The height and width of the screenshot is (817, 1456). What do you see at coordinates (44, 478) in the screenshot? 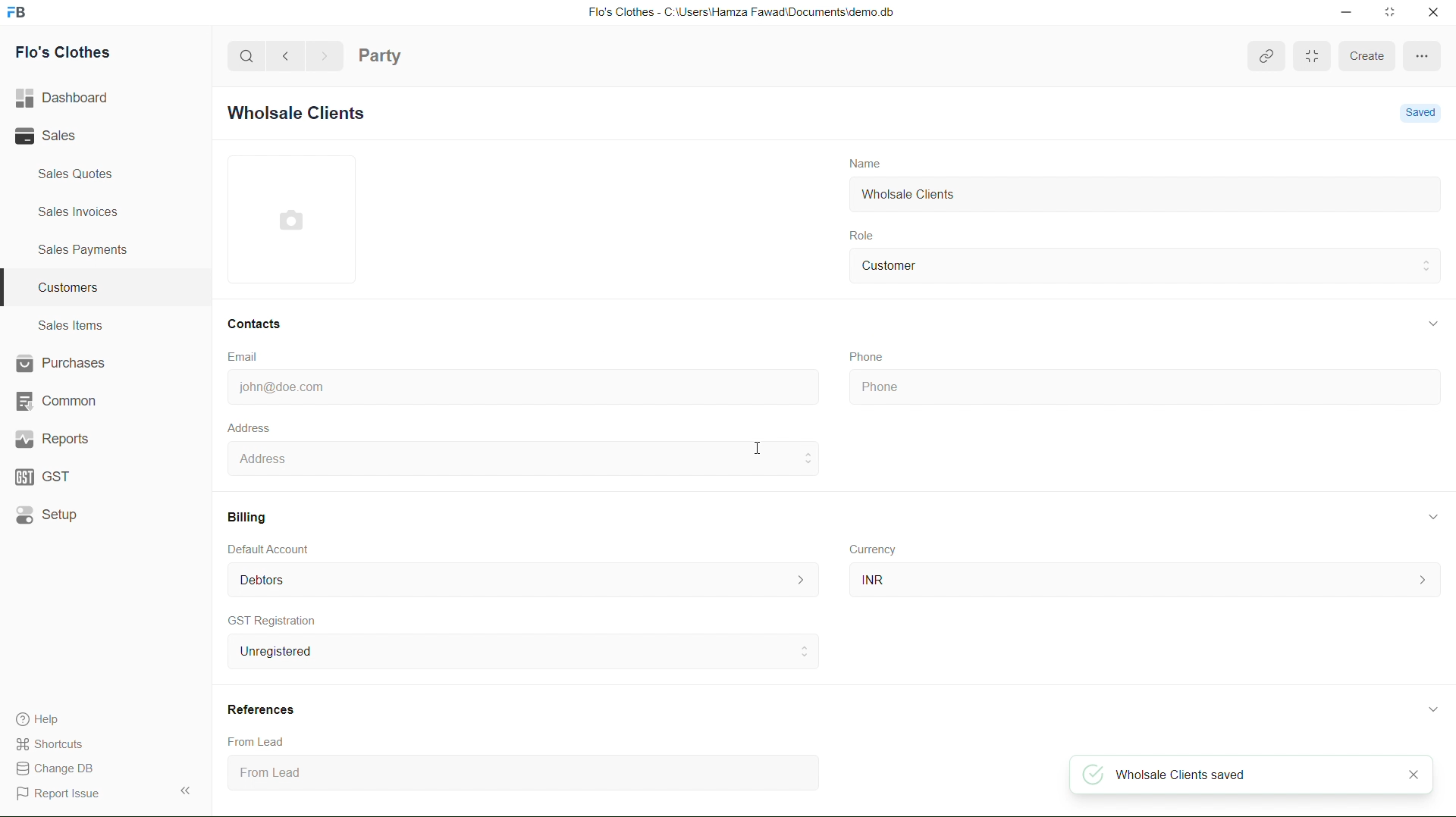
I see `GST` at bounding box center [44, 478].